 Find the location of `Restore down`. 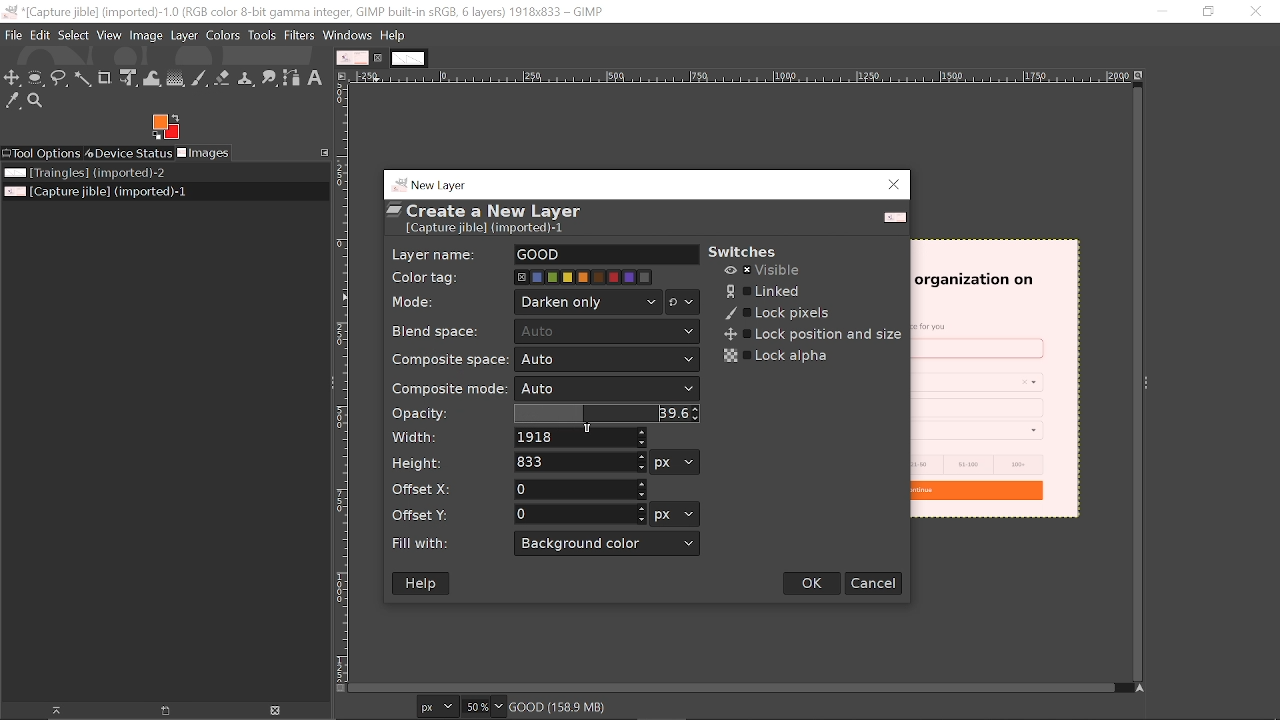

Restore down is located at coordinates (1209, 12).